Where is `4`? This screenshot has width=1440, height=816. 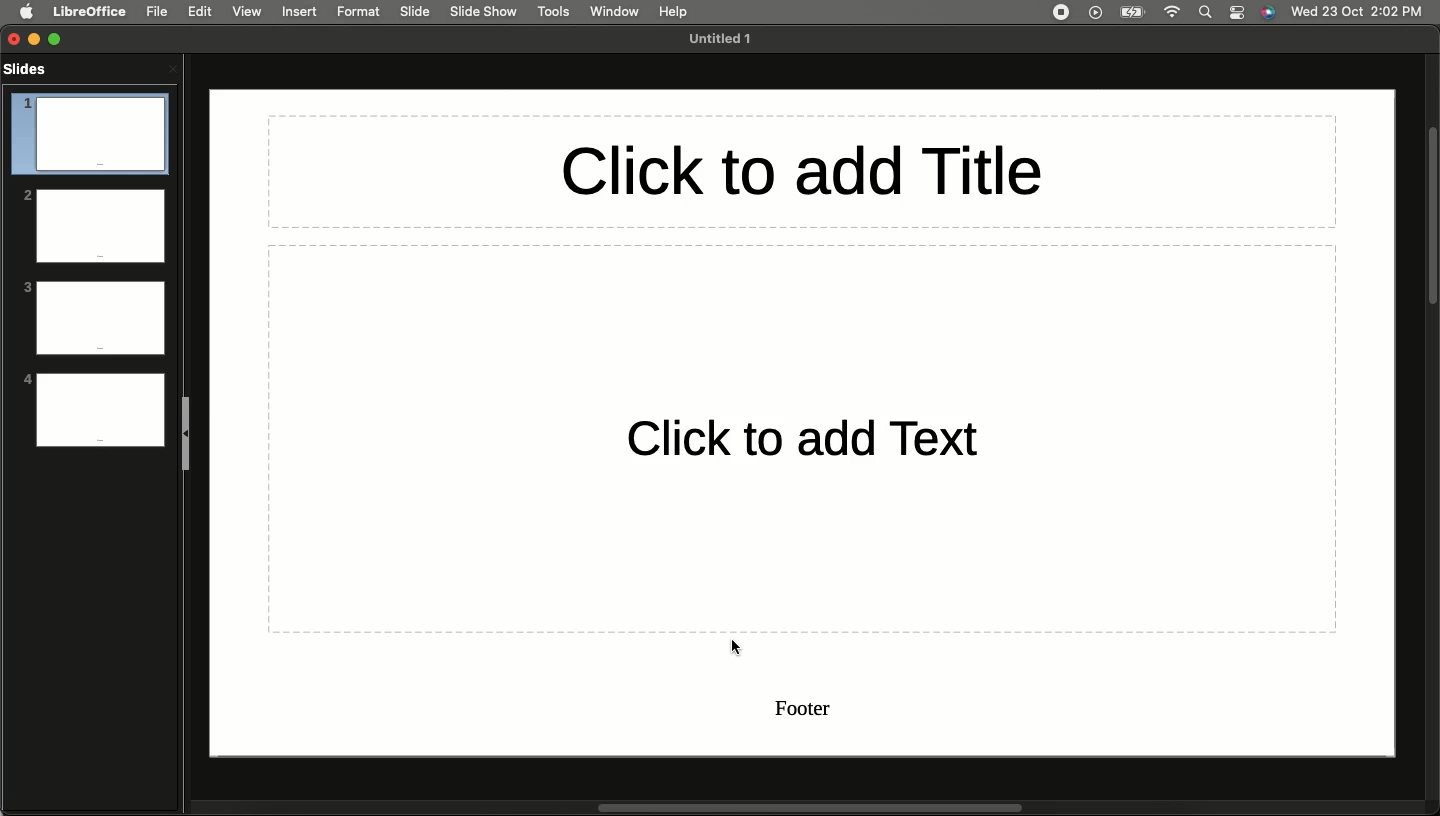 4 is located at coordinates (96, 401).